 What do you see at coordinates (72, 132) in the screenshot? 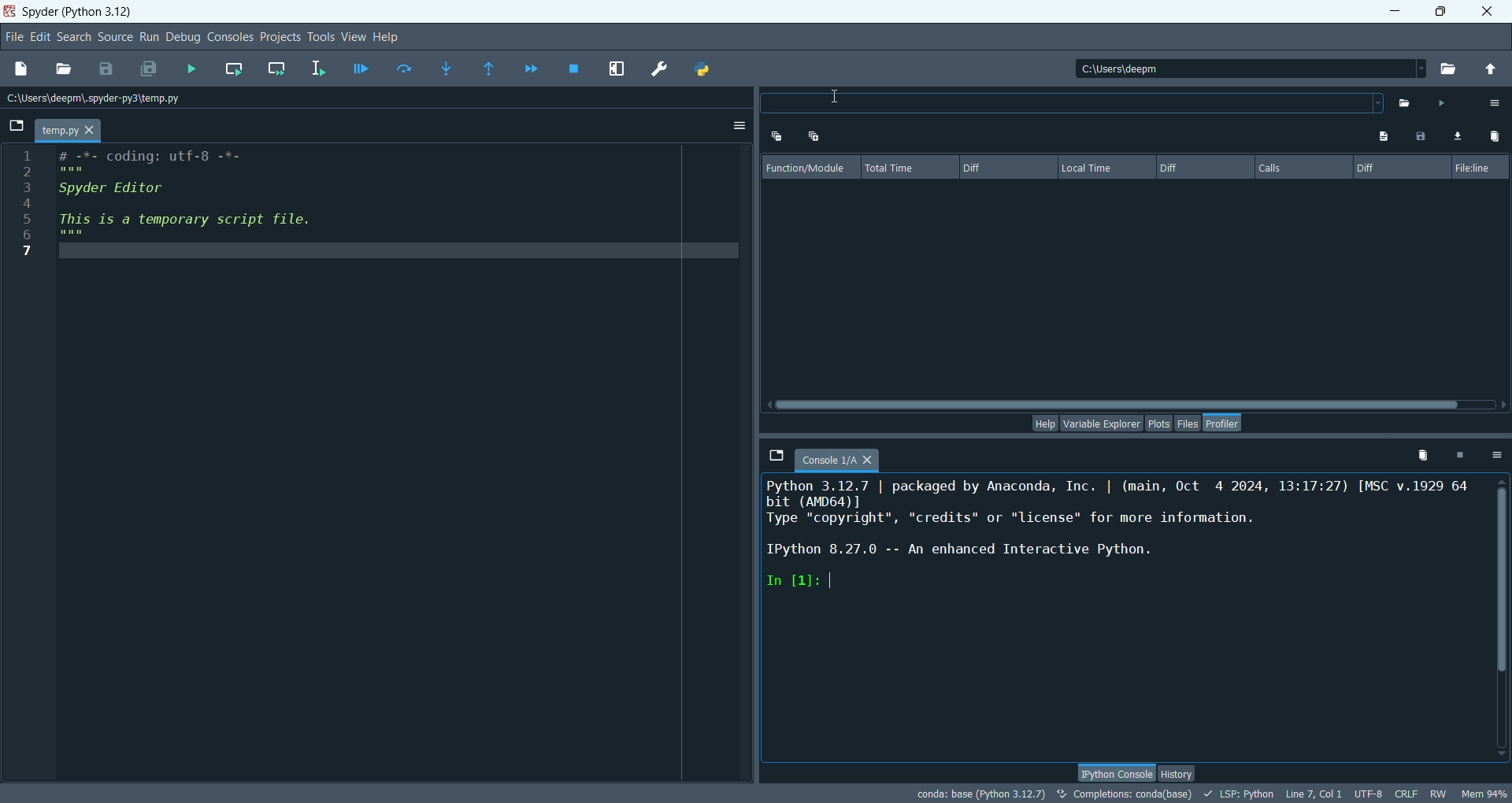
I see `temp.py` at bounding box center [72, 132].